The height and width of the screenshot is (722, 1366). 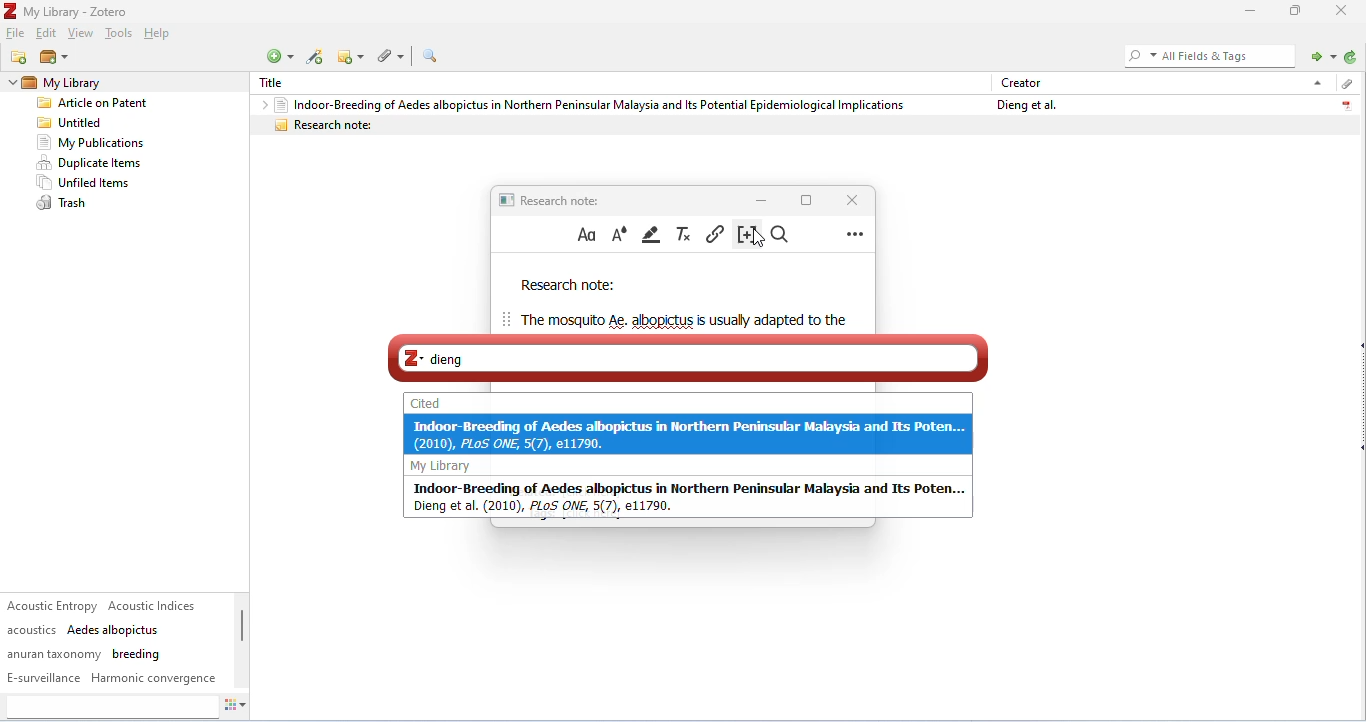 I want to click on insert link, so click(x=715, y=233).